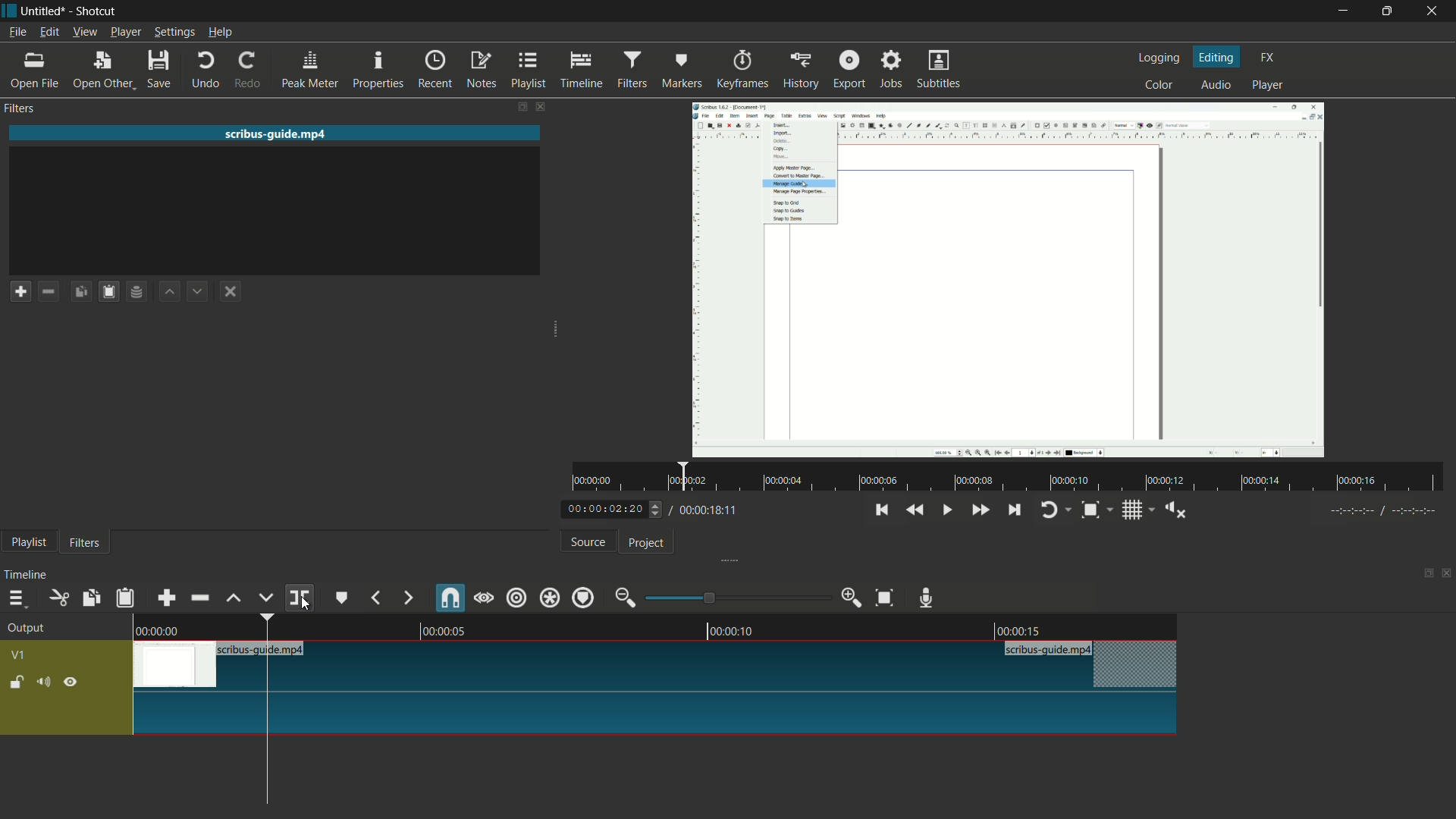  What do you see at coordinates (90, 599) in the screenshot?
I see `copy` at bounding box center [90, 599].